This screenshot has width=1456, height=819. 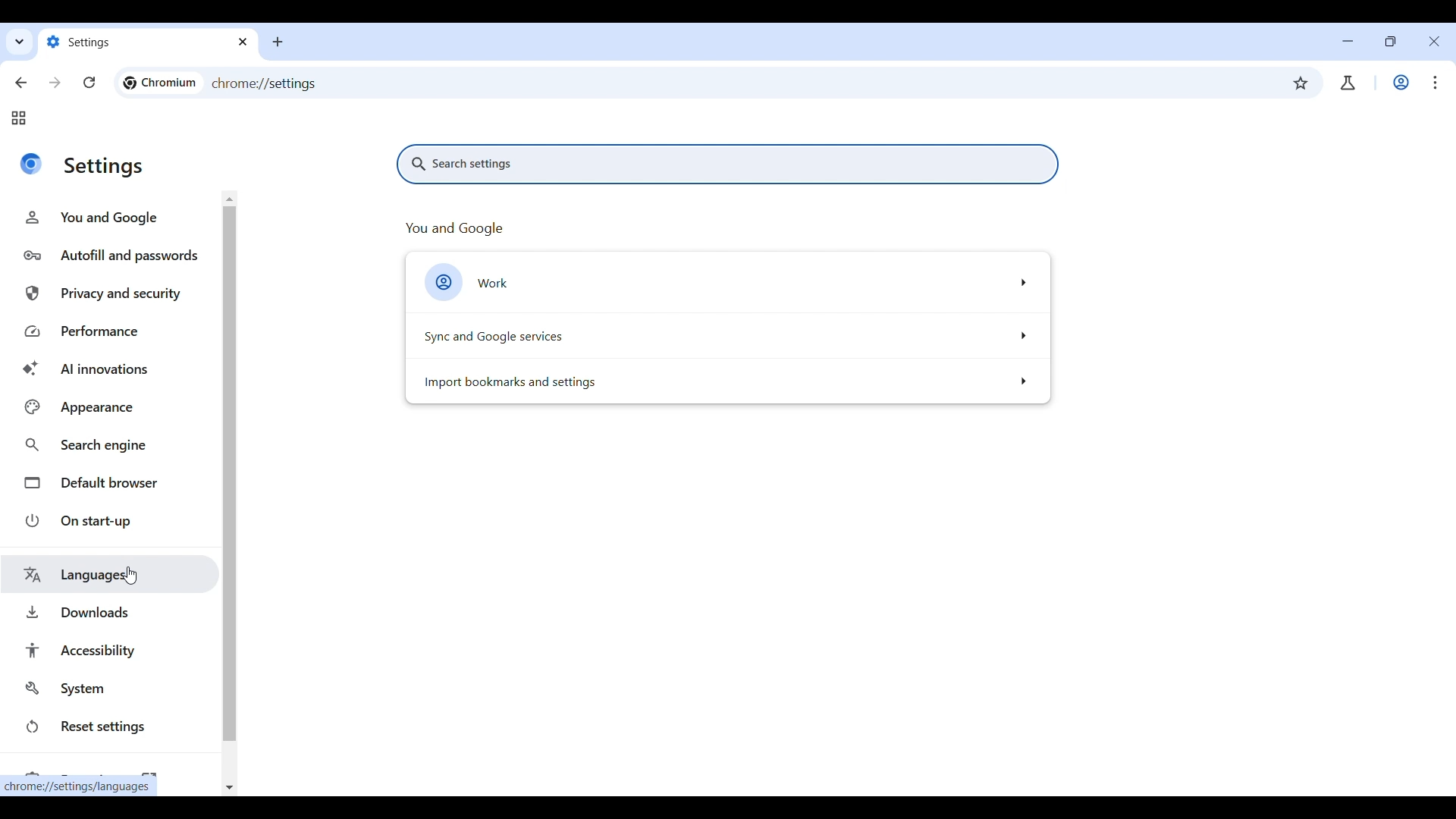 What do you see at coordinates (18, 44) in the screenshot?
I see `Quick search tabs` at bounding box center [18, 44].